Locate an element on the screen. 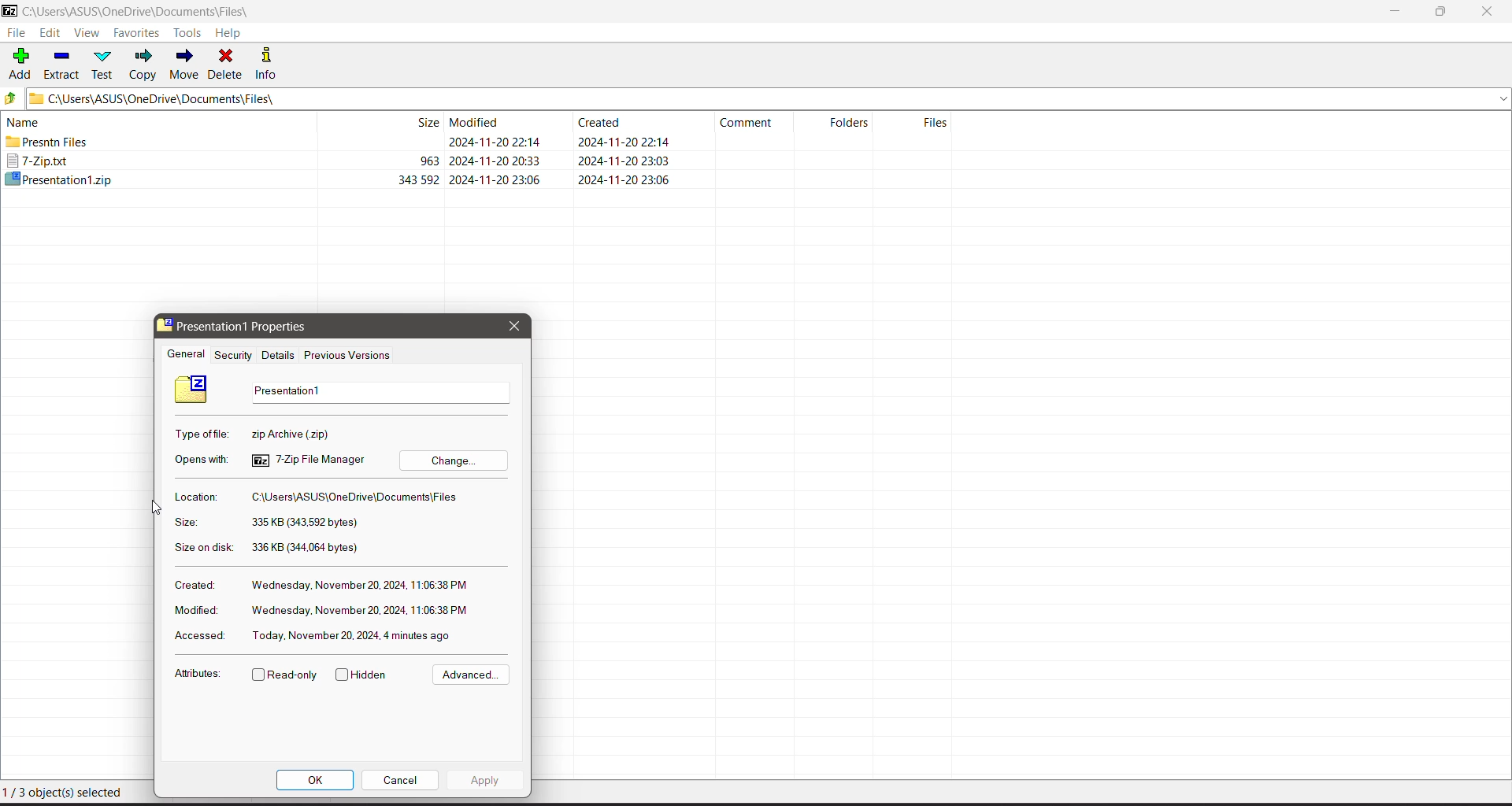  Copy is located at coordinates (144, 65).